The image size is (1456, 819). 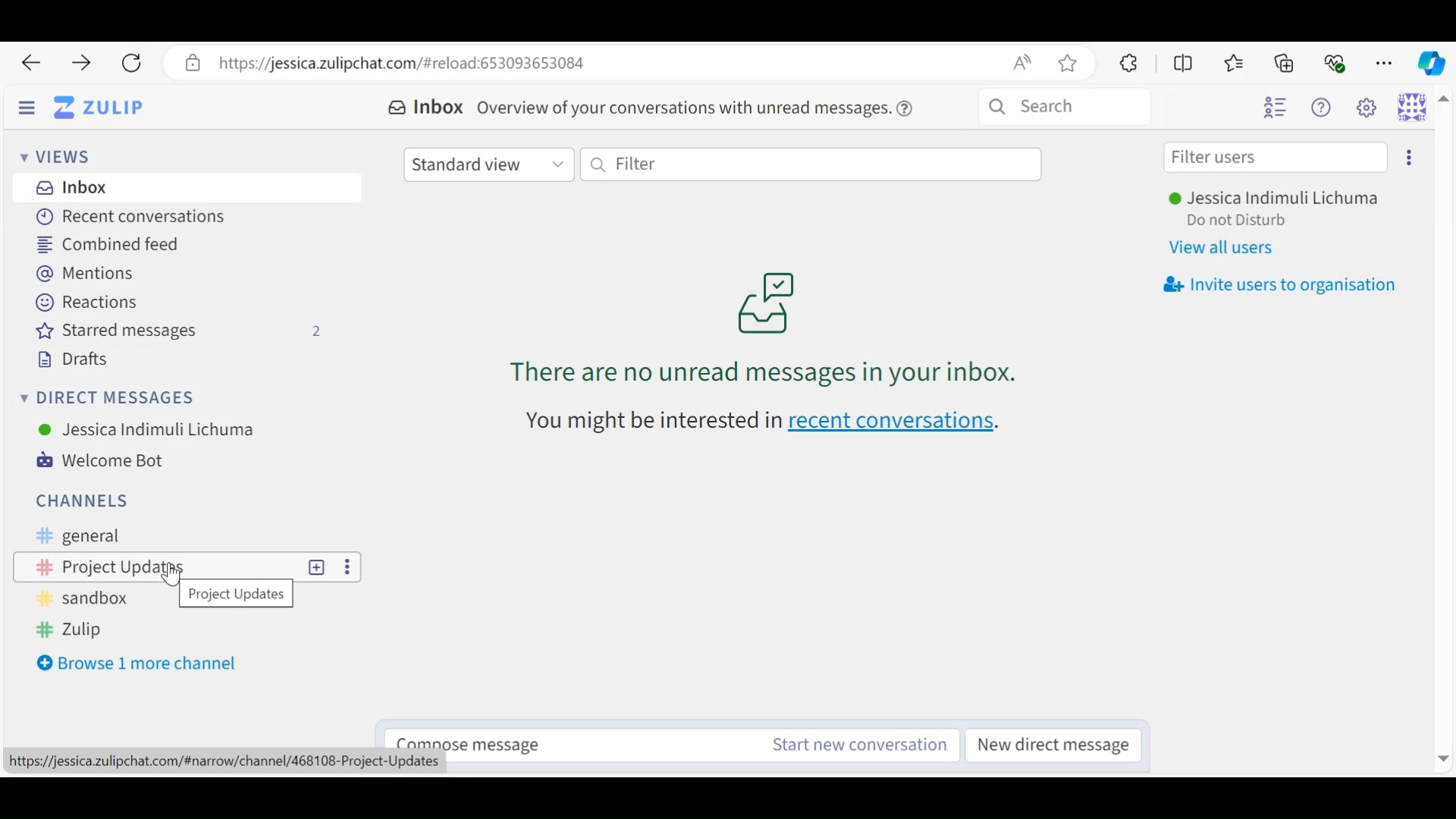 What do you see at coordinates (98, 108) in the screenshot?
I see `Go to Home View` at bounding box center [98, 108].